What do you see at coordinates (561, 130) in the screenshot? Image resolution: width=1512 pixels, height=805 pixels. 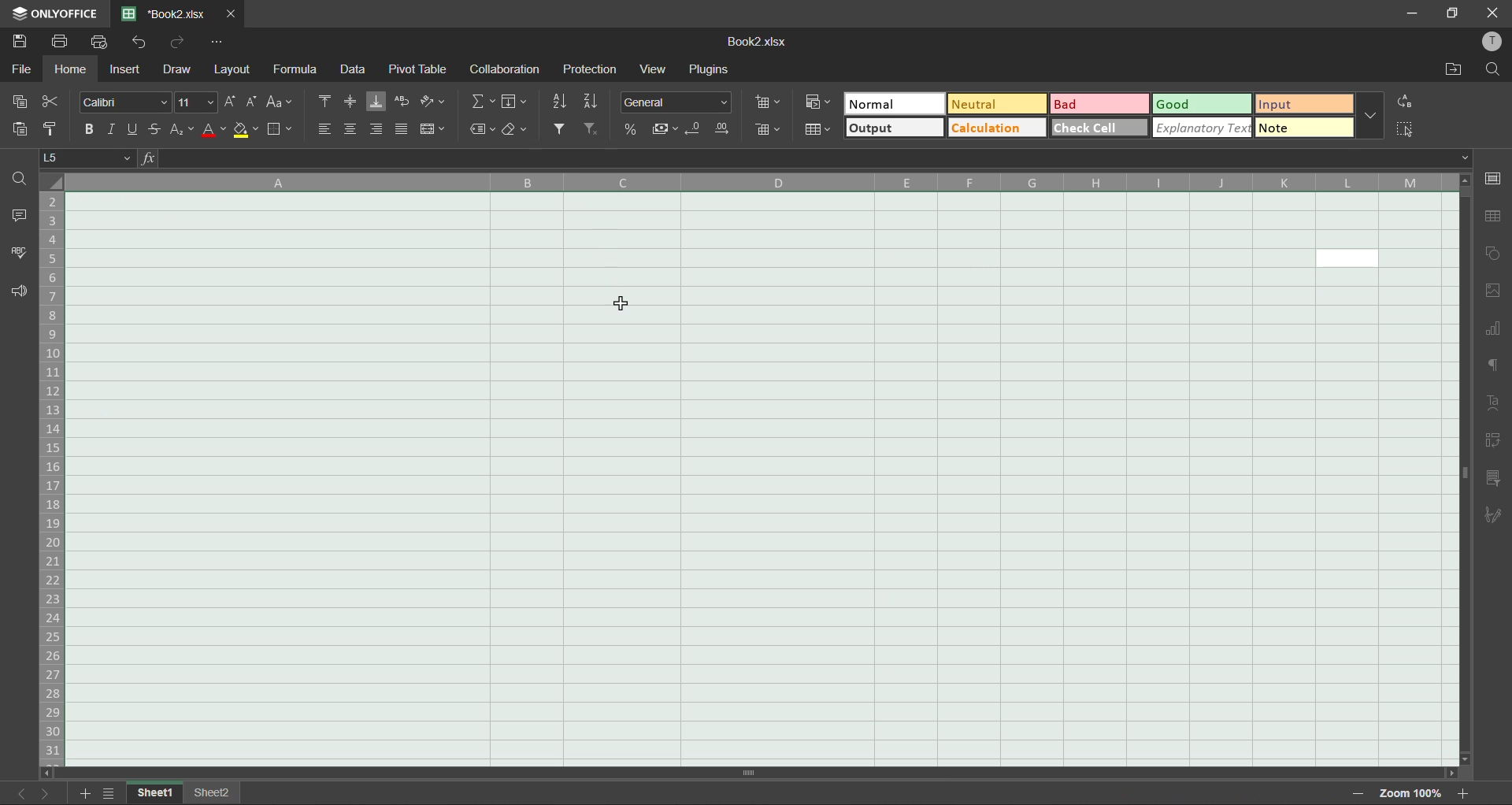 I see `filter` at bounding box center [561, 130].